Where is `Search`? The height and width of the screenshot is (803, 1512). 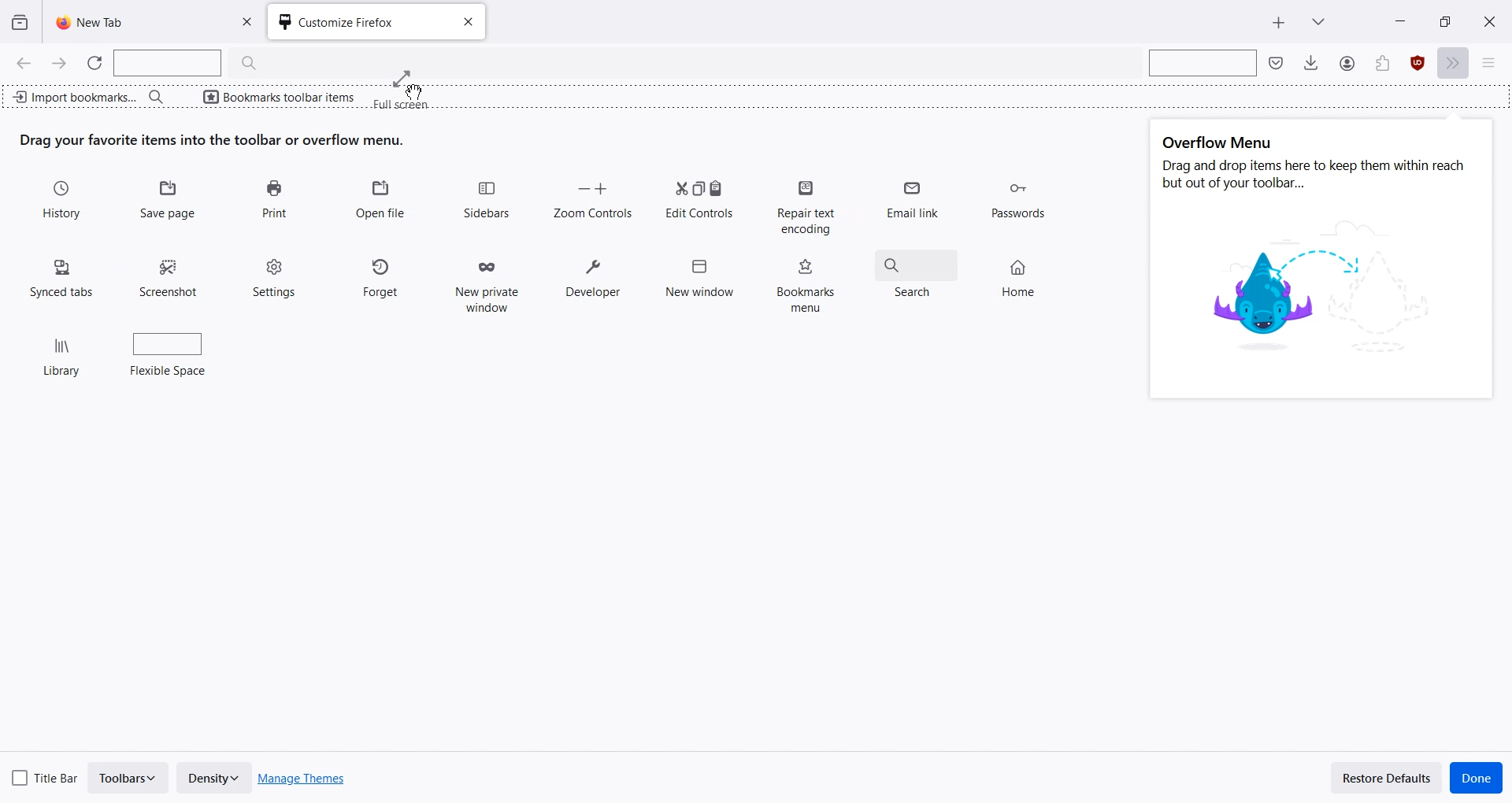 Search is located at coordinates (914, 277).